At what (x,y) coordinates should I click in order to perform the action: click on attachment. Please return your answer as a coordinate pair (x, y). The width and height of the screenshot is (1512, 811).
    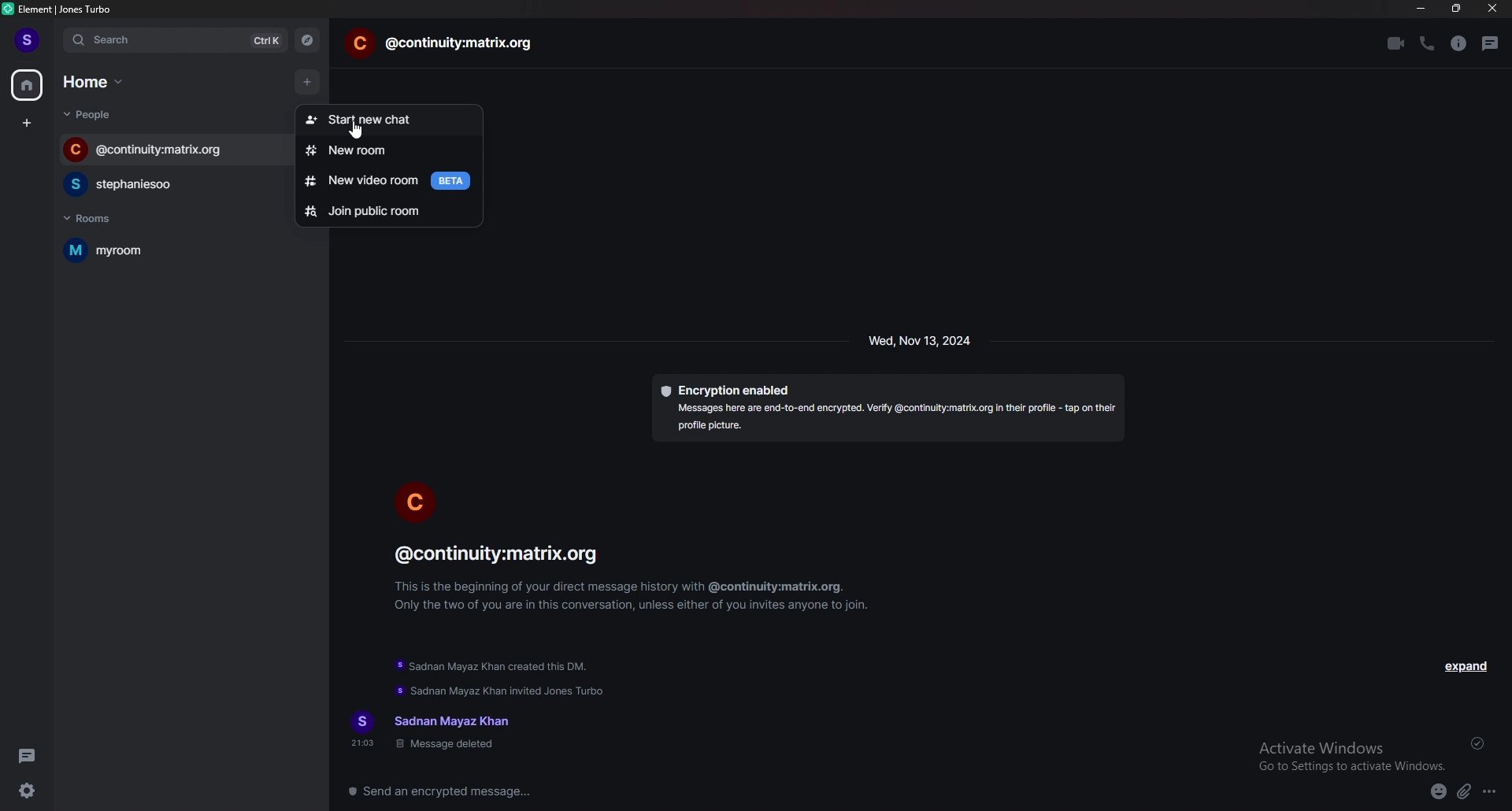
    Looking at the image, I should click on (1464, 792).